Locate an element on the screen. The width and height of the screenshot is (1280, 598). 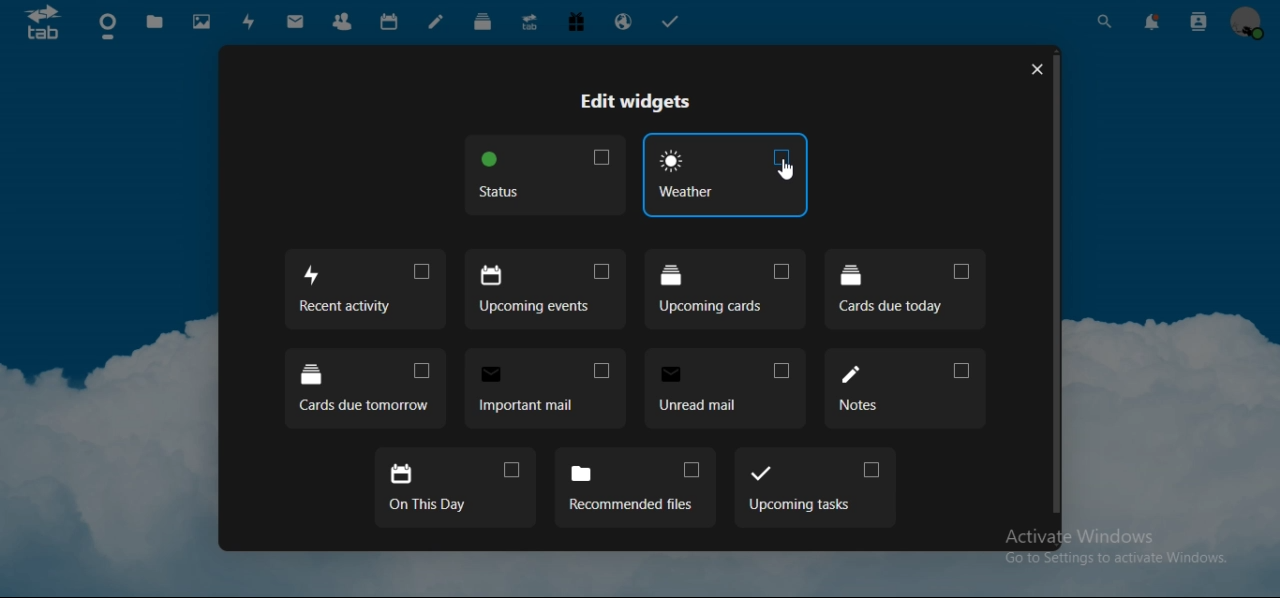
cursor is located at coordinates (786, 169).